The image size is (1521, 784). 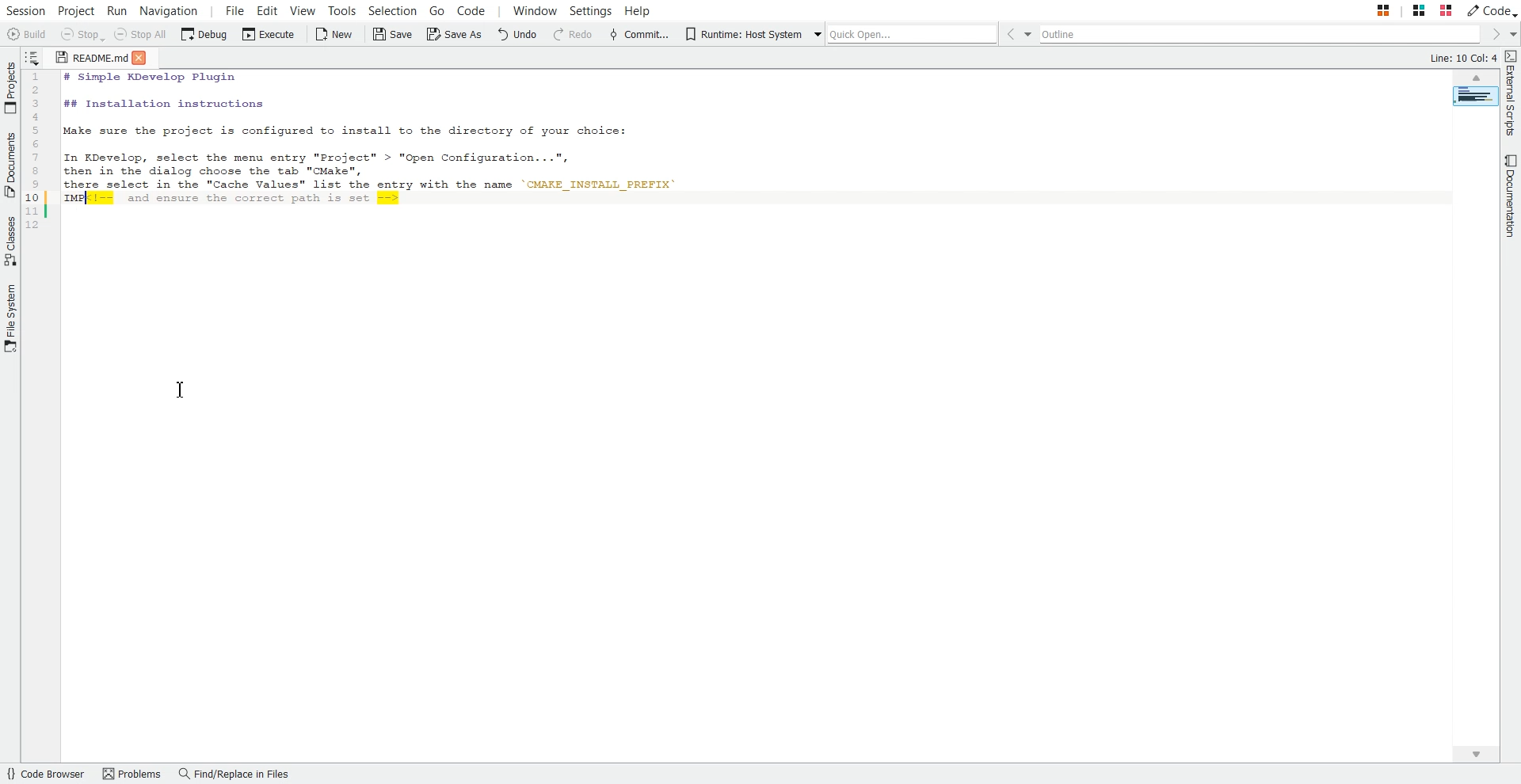 I want to click on Classes, so click(x=10, y=242).